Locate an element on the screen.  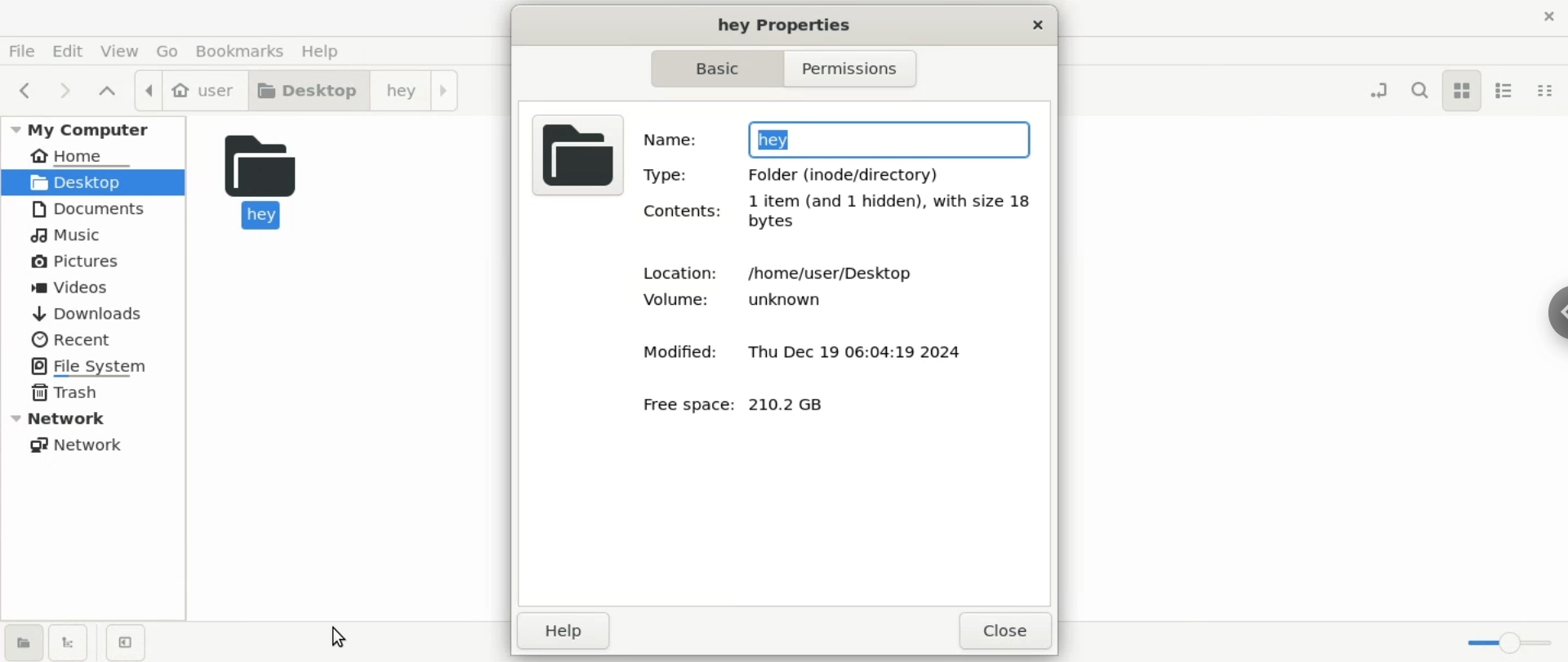
folder logo is located at coordinates (574, 153).